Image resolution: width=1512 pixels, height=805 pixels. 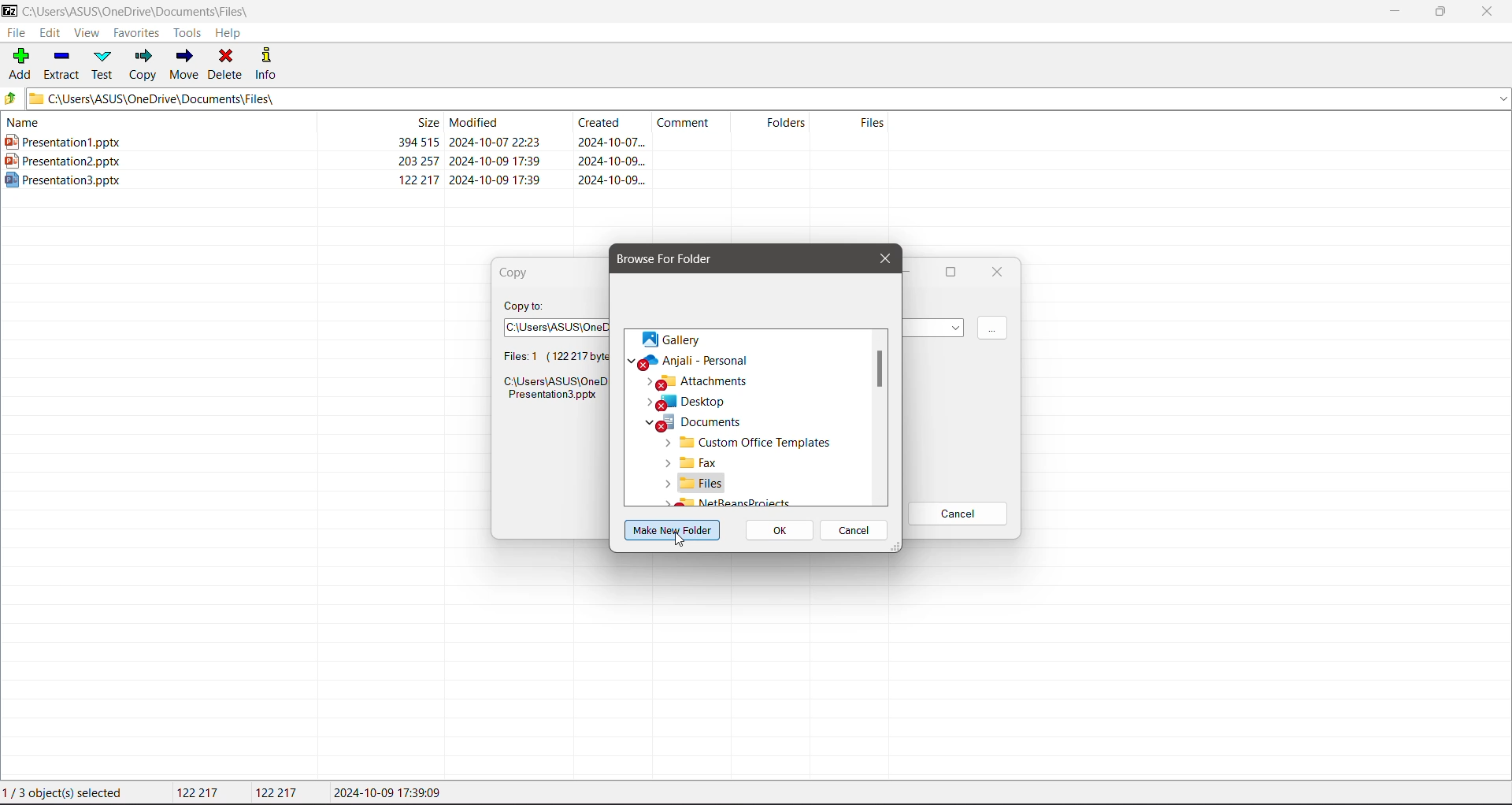 I want to click on Cancel, so click(x=958, y=514).